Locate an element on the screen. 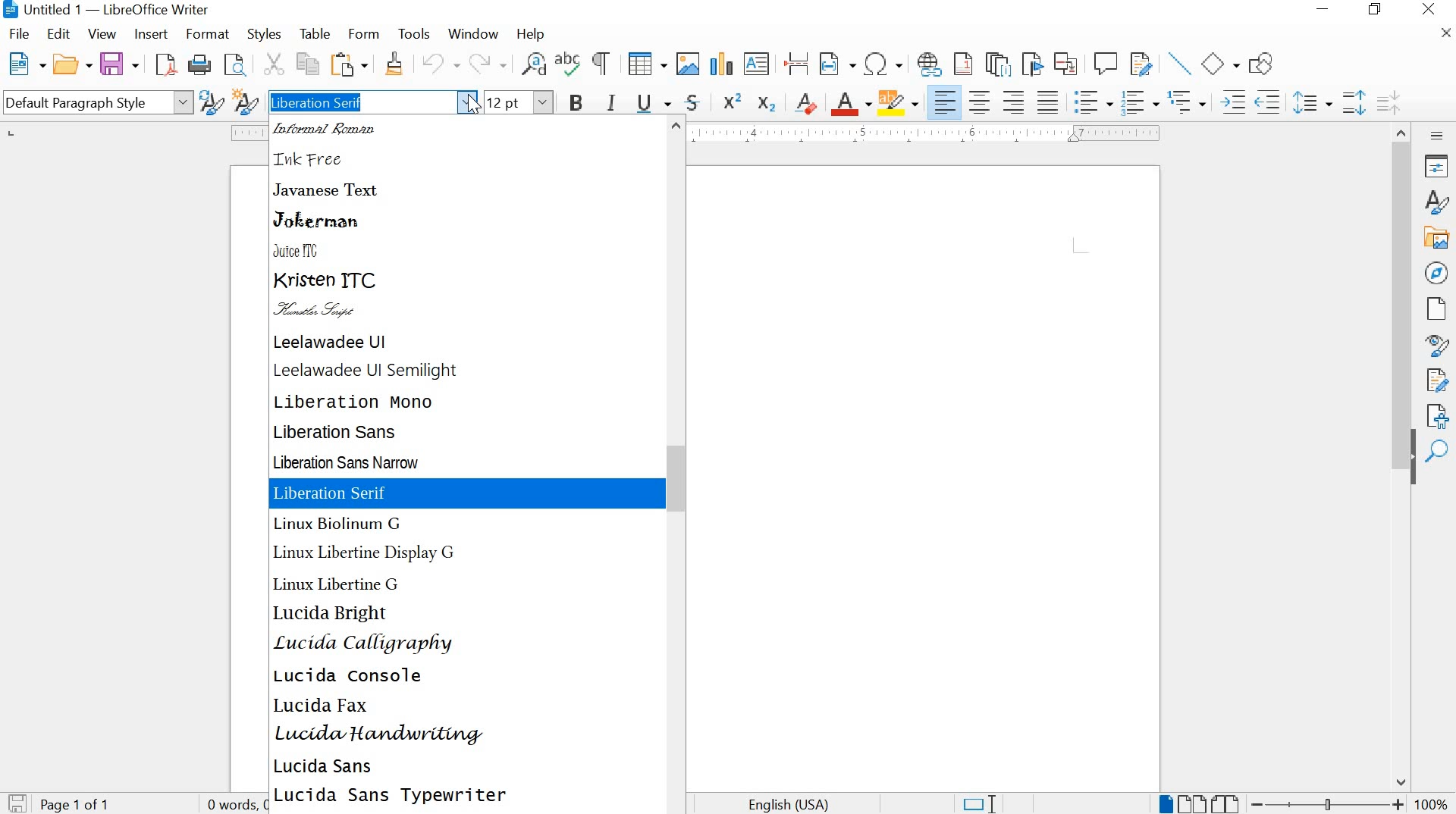 The height and width of the screenshot is (814, 1456). INSERT SPECIAL CHARACTERS is located at coordinates (883, 64).